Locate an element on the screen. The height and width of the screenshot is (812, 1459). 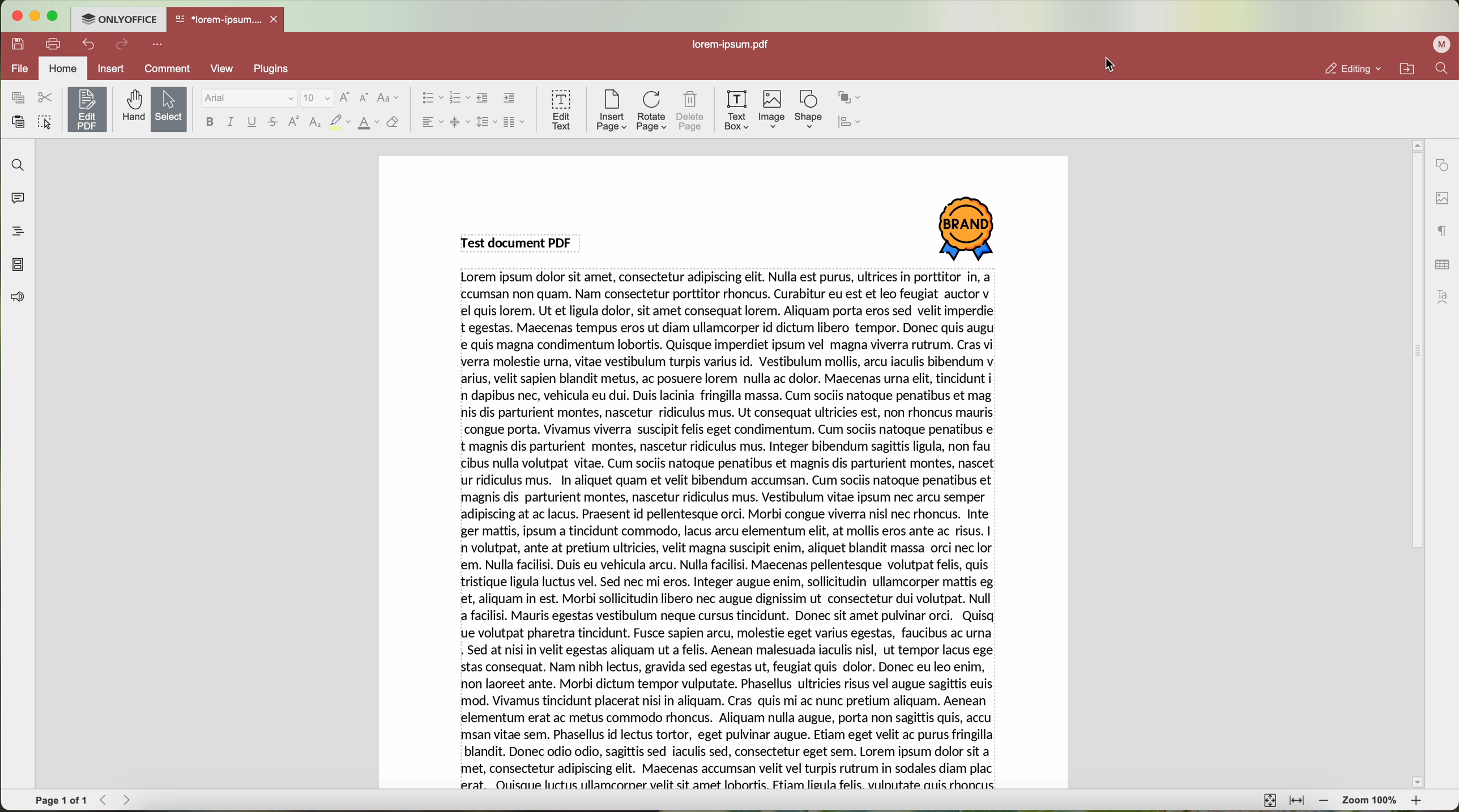
cursor is located at coordinates (1114, 66).